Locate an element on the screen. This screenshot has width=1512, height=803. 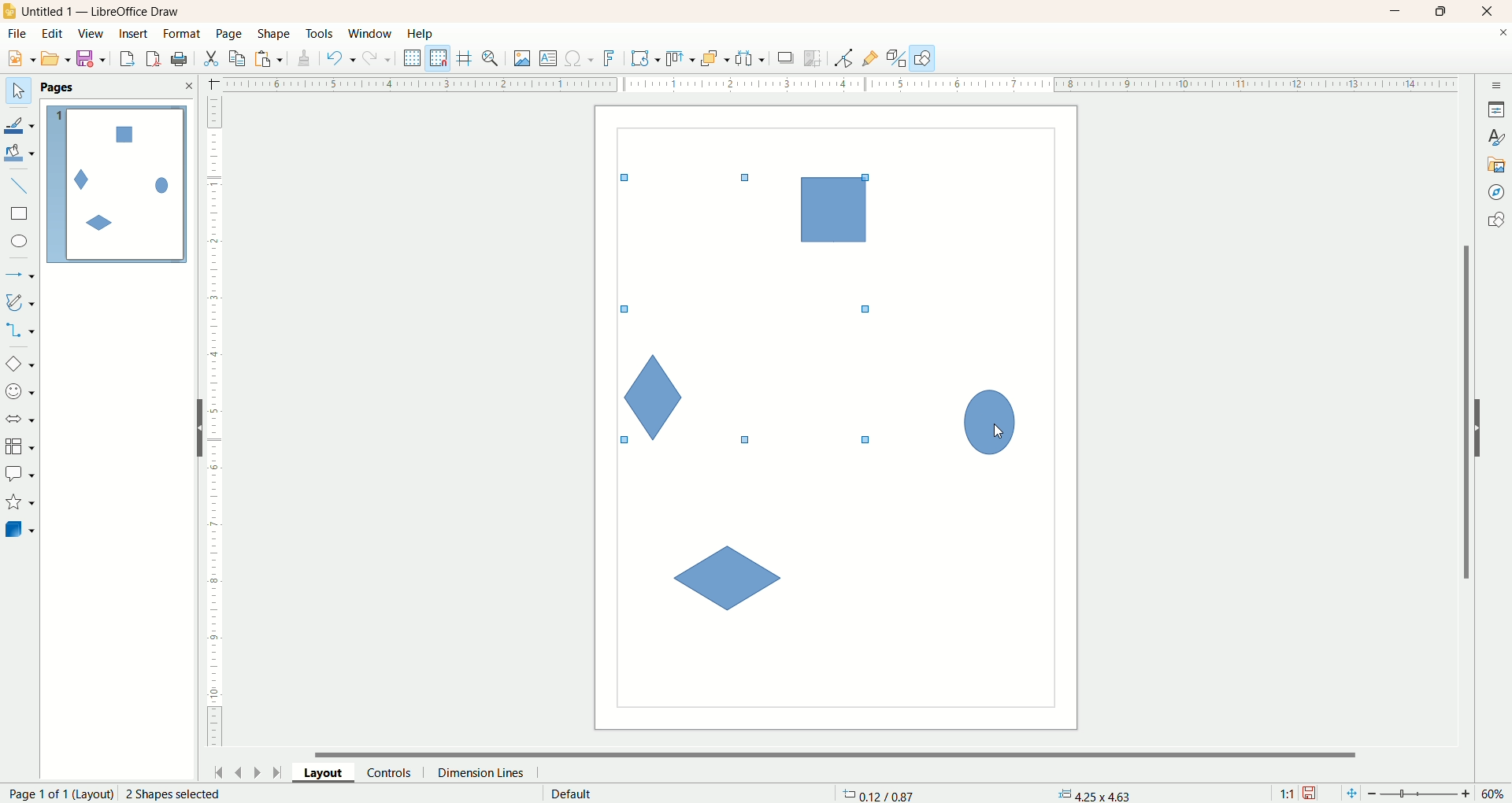
allign object is located at coordinates (681, 59).